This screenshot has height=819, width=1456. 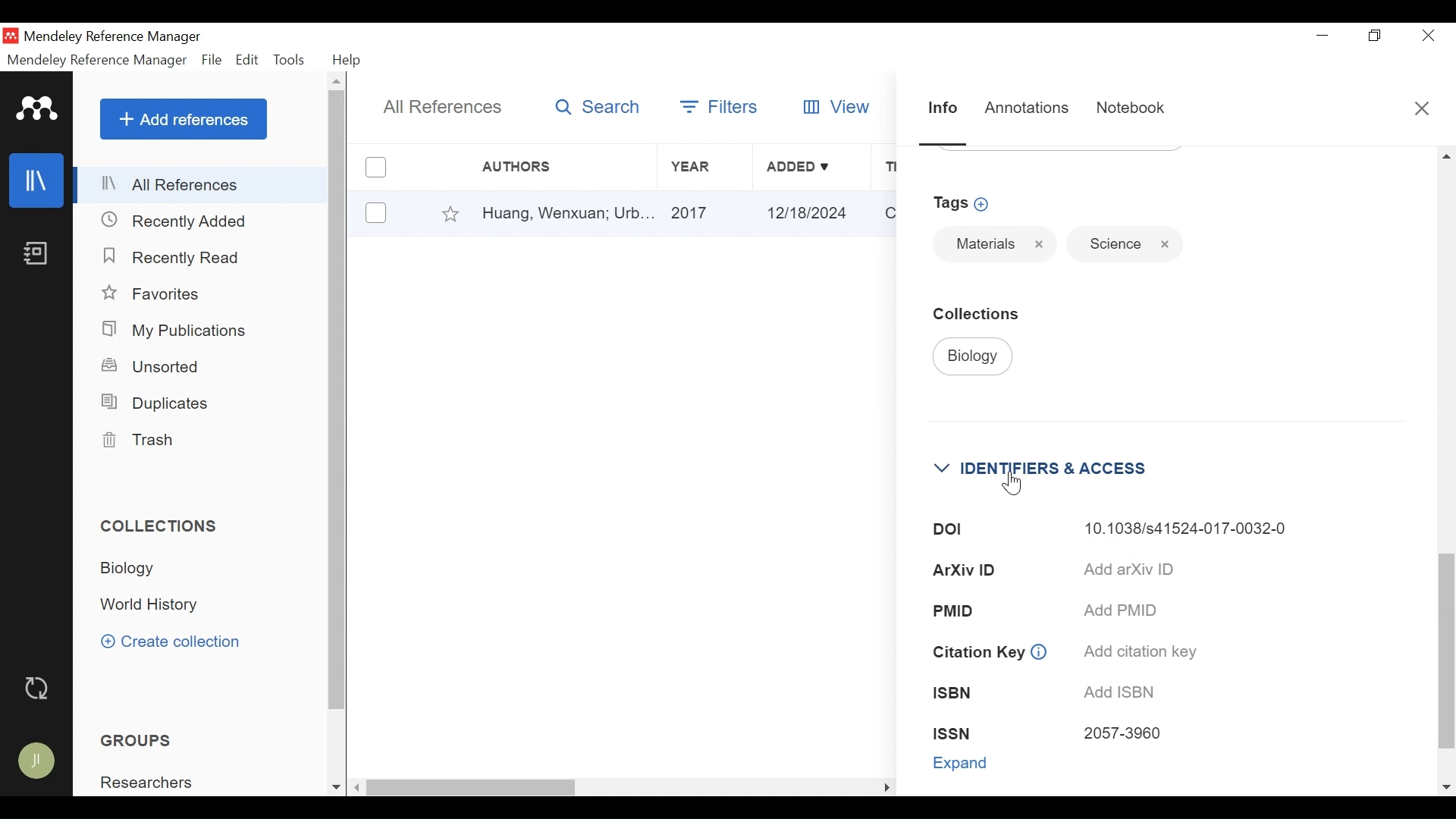 I want to click on Year, so click(x=703, y=167).